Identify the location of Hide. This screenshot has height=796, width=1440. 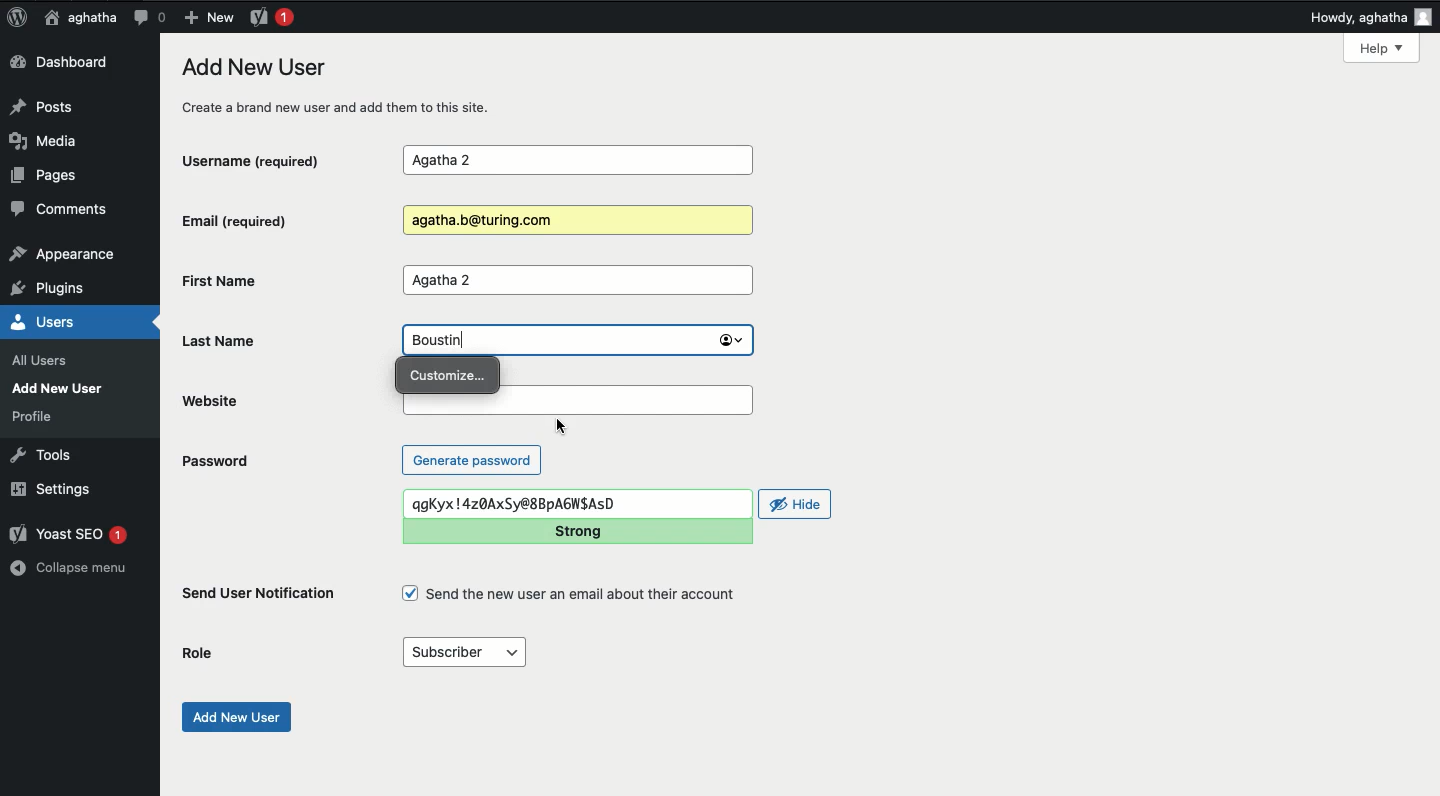
(796, 504).